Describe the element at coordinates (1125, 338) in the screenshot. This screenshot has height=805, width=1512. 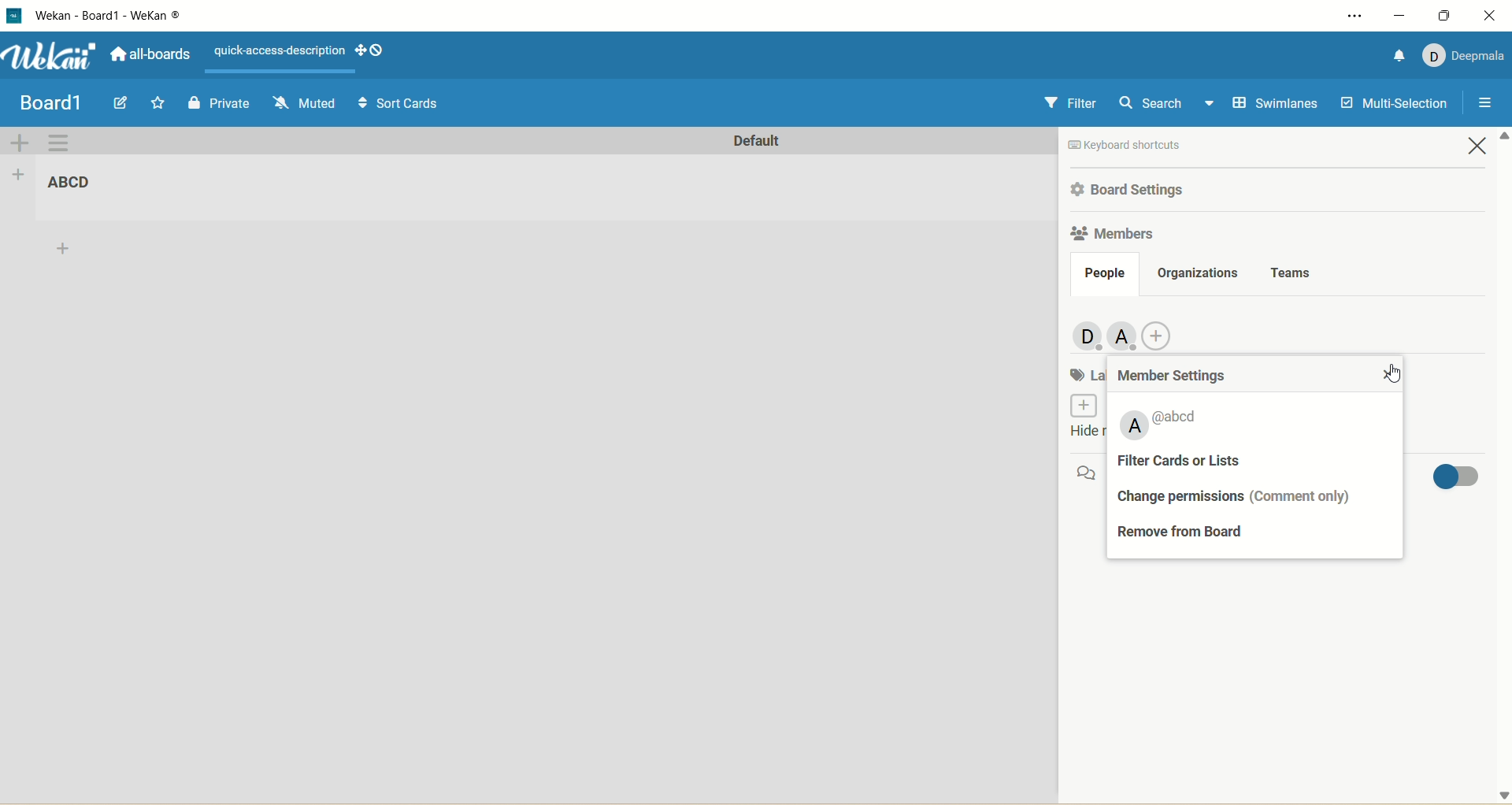
I see `member` at that location.